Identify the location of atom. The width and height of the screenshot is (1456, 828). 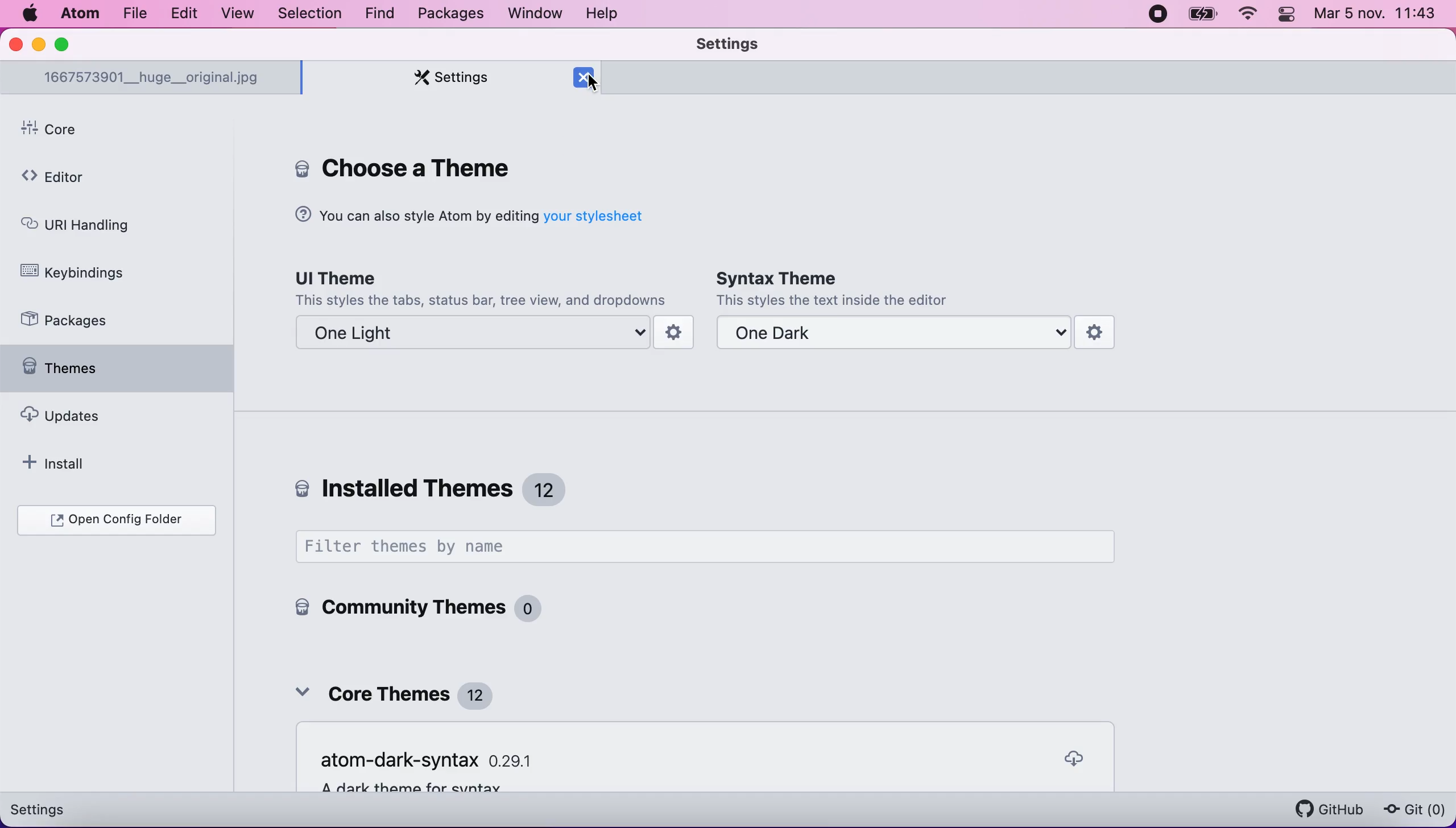
(78, 16).